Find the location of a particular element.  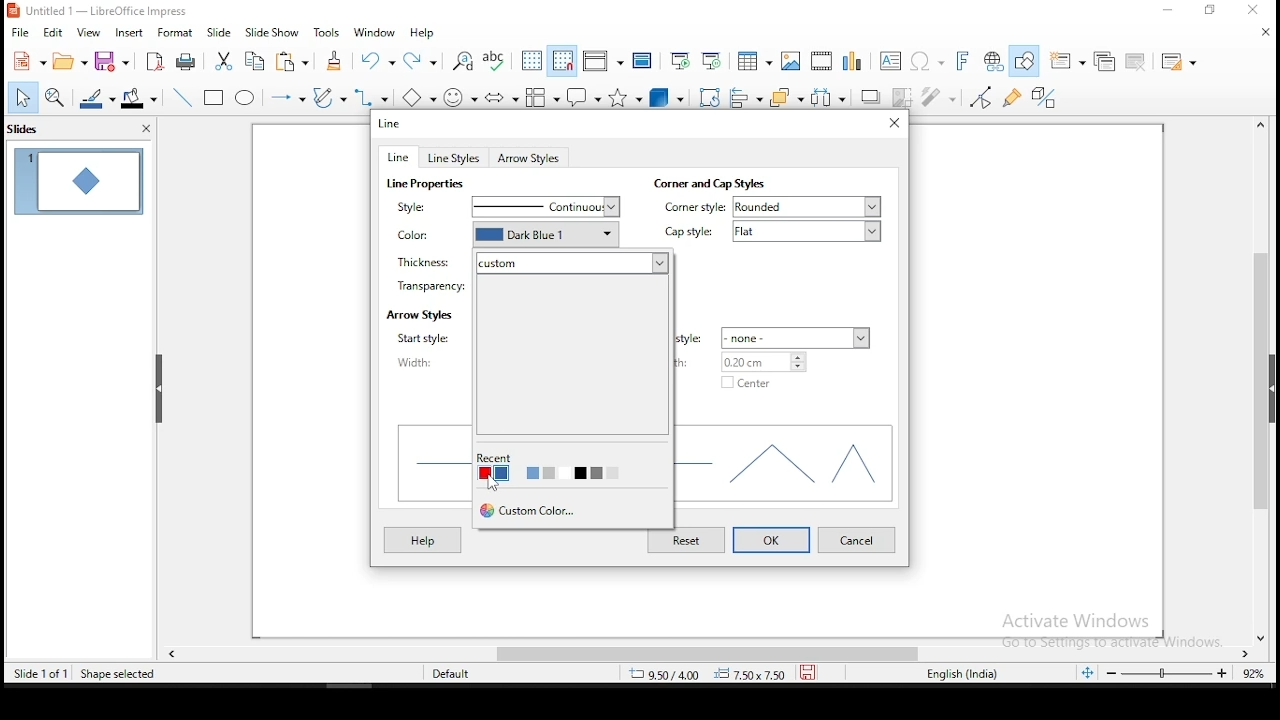

block arrows is located at coordinates (502, 99).